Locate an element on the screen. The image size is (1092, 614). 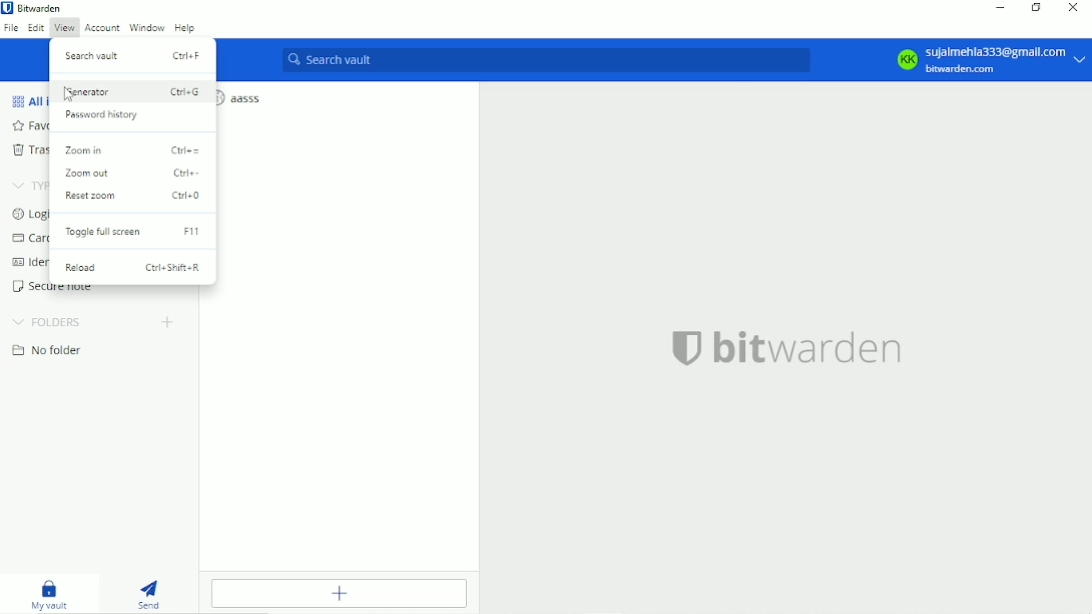
Window is located at coordinates (147, 28).